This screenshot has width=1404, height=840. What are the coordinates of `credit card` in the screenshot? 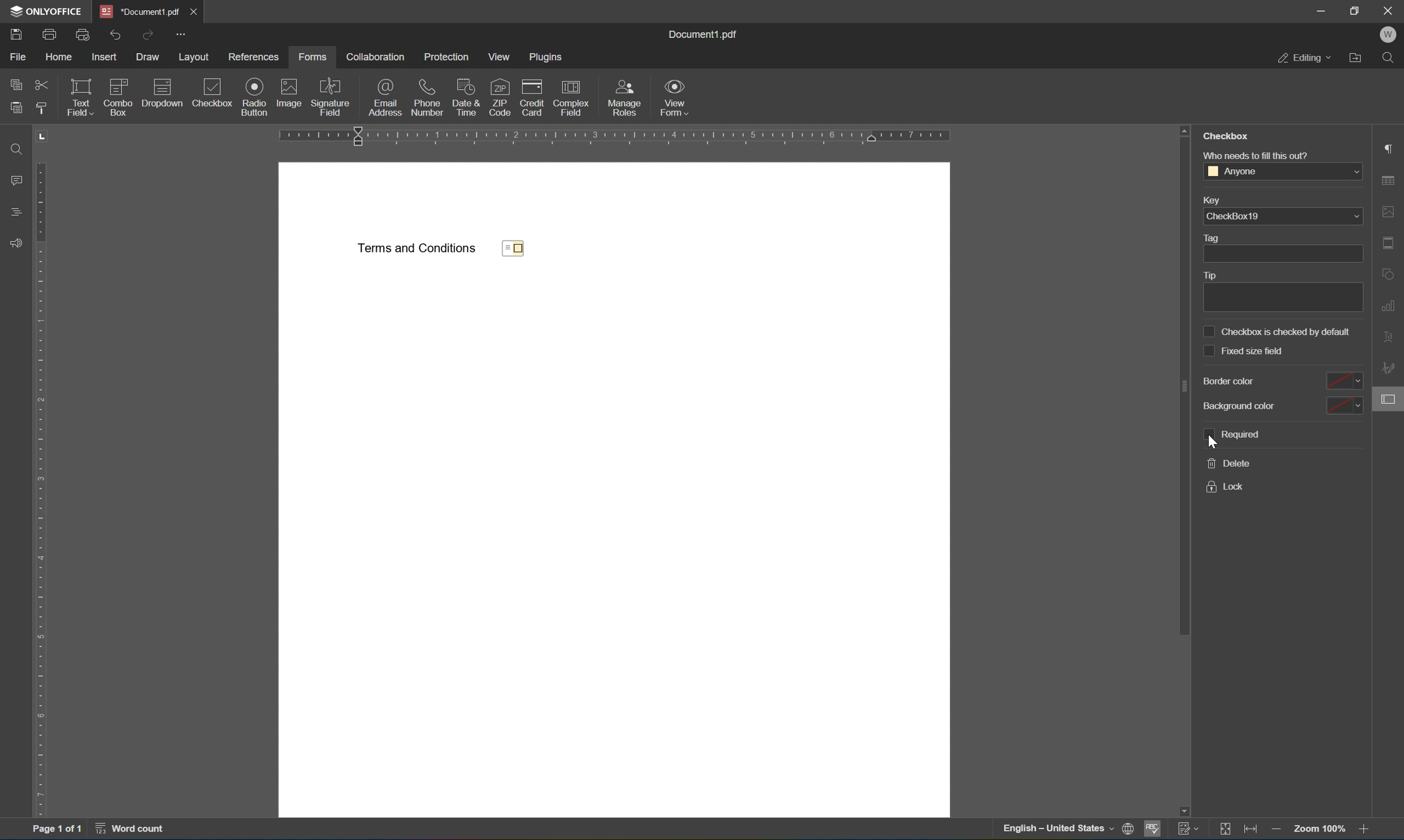 It's located at (529, 96).